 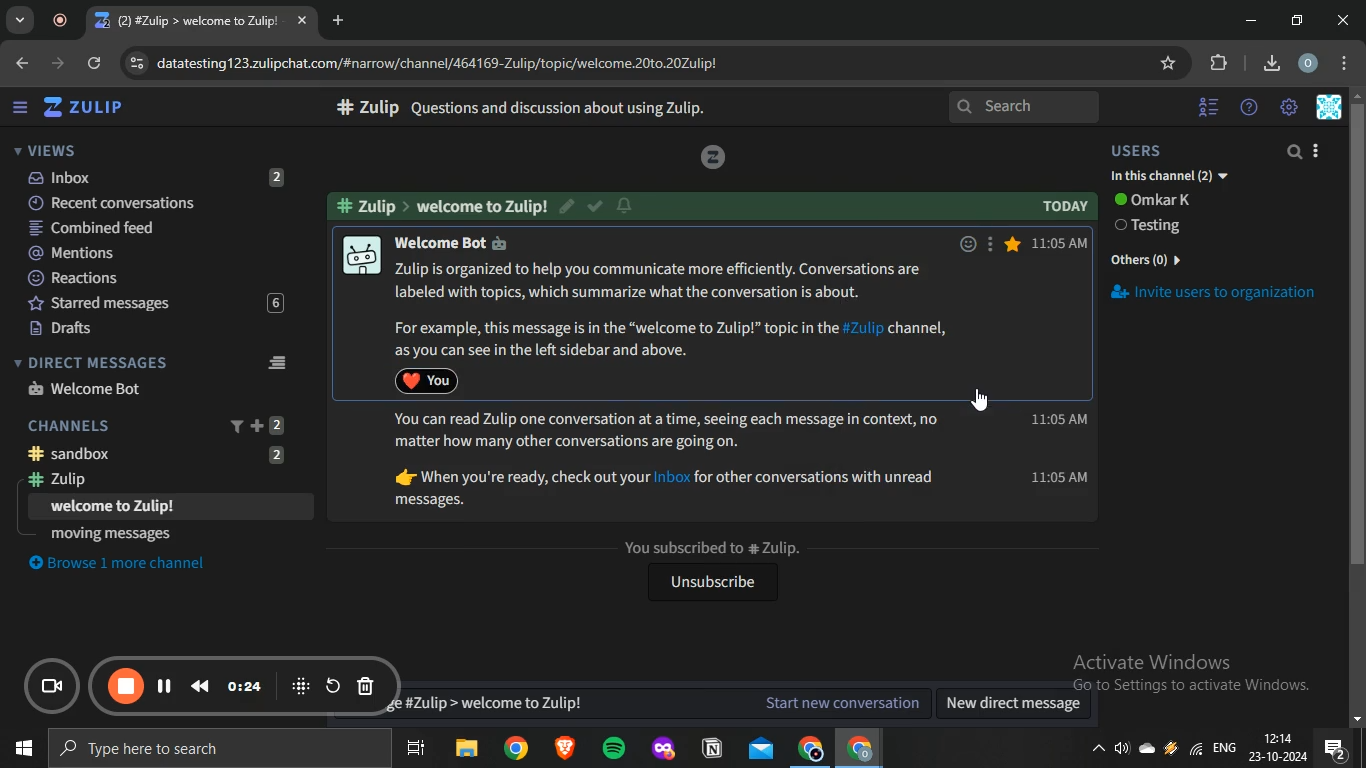 I want to click on winamp agent, so click(x=1171, y=753).